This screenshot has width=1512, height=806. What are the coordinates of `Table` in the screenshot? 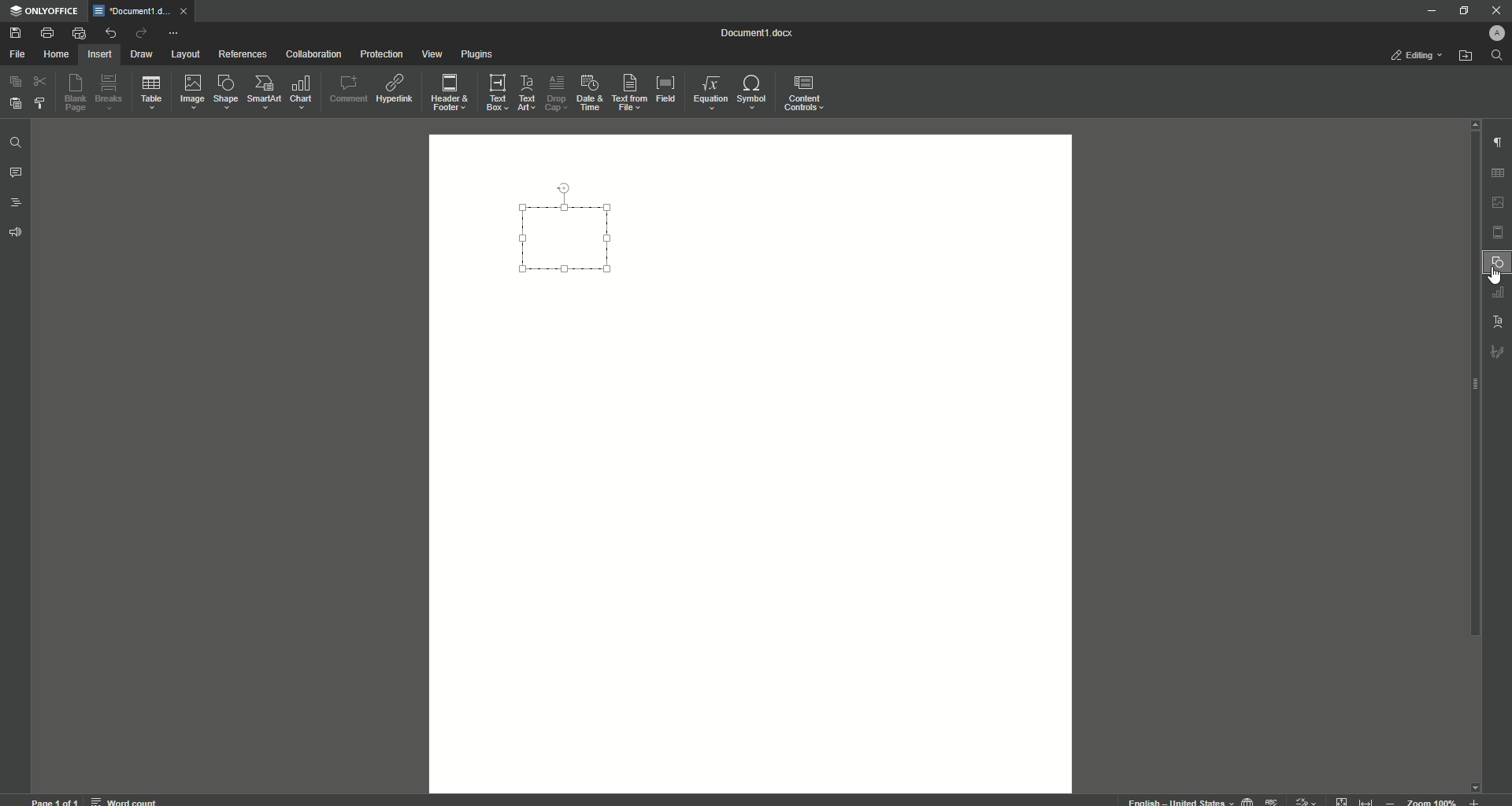 It's located at (151, 95).